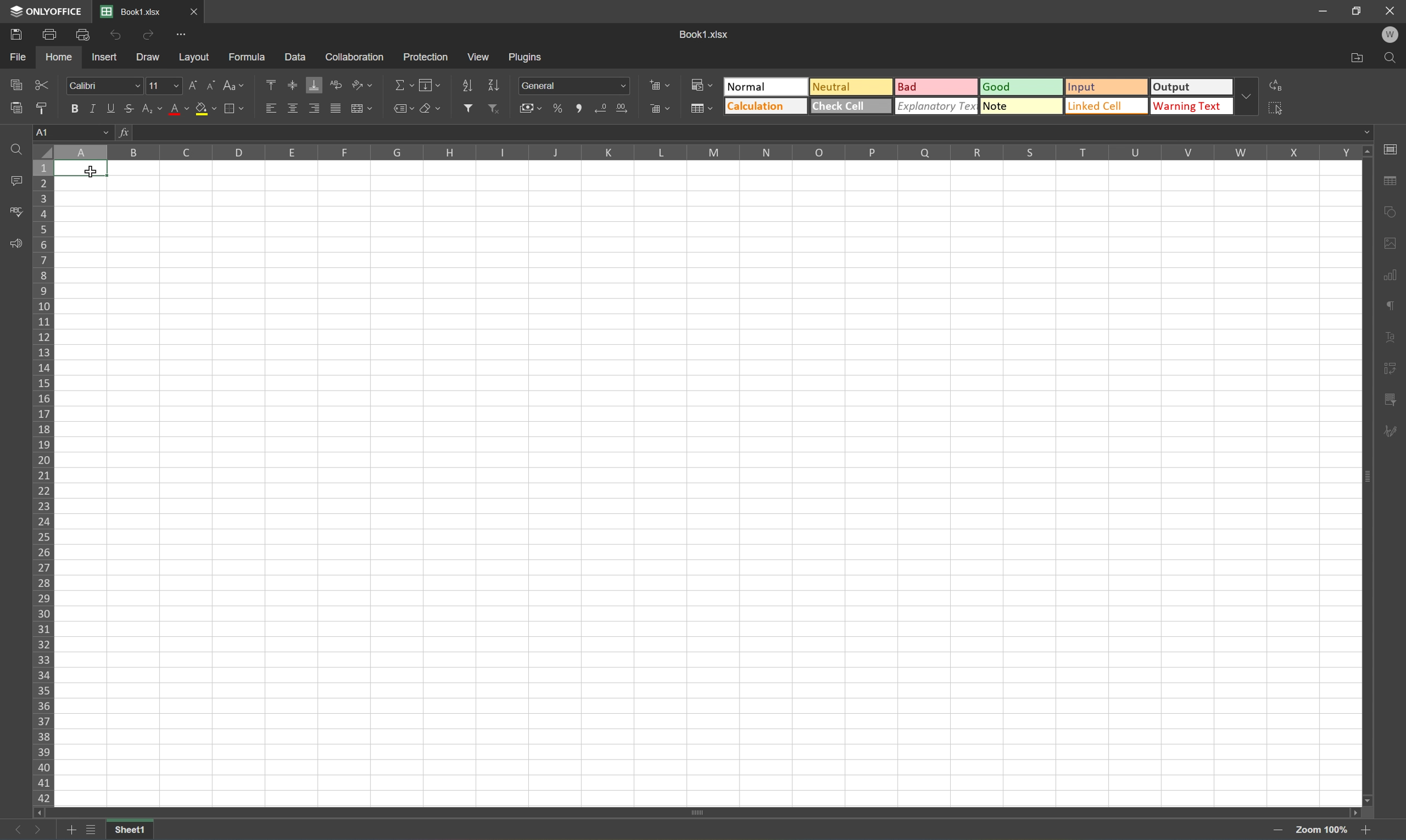 This screenshot has height=840, width=1406. Describe the element at coordinates (149, 37) in the screenshot. I see `Redo` at that location.